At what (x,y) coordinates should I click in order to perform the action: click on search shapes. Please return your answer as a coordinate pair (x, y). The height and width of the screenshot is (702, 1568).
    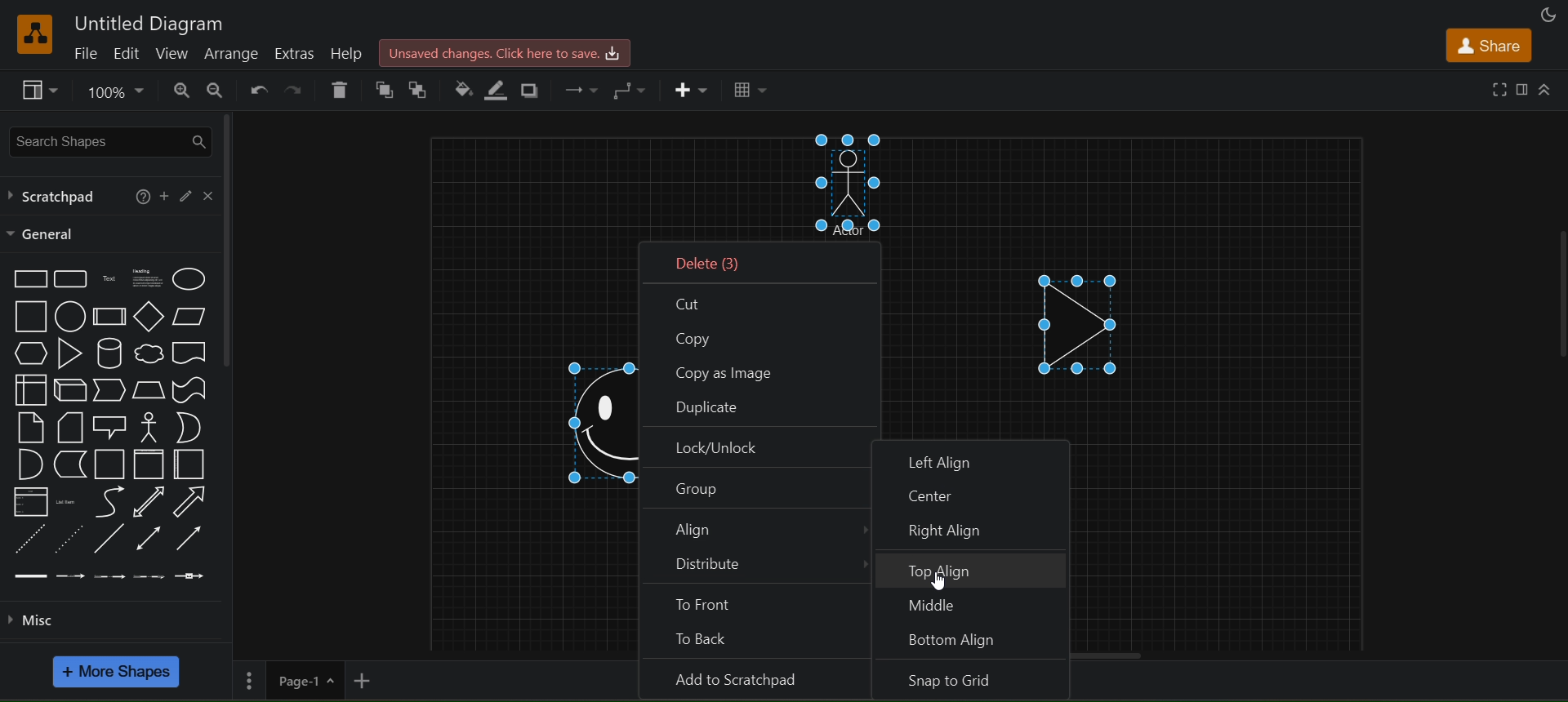
    Looking at the image, I should click on (110, 139).